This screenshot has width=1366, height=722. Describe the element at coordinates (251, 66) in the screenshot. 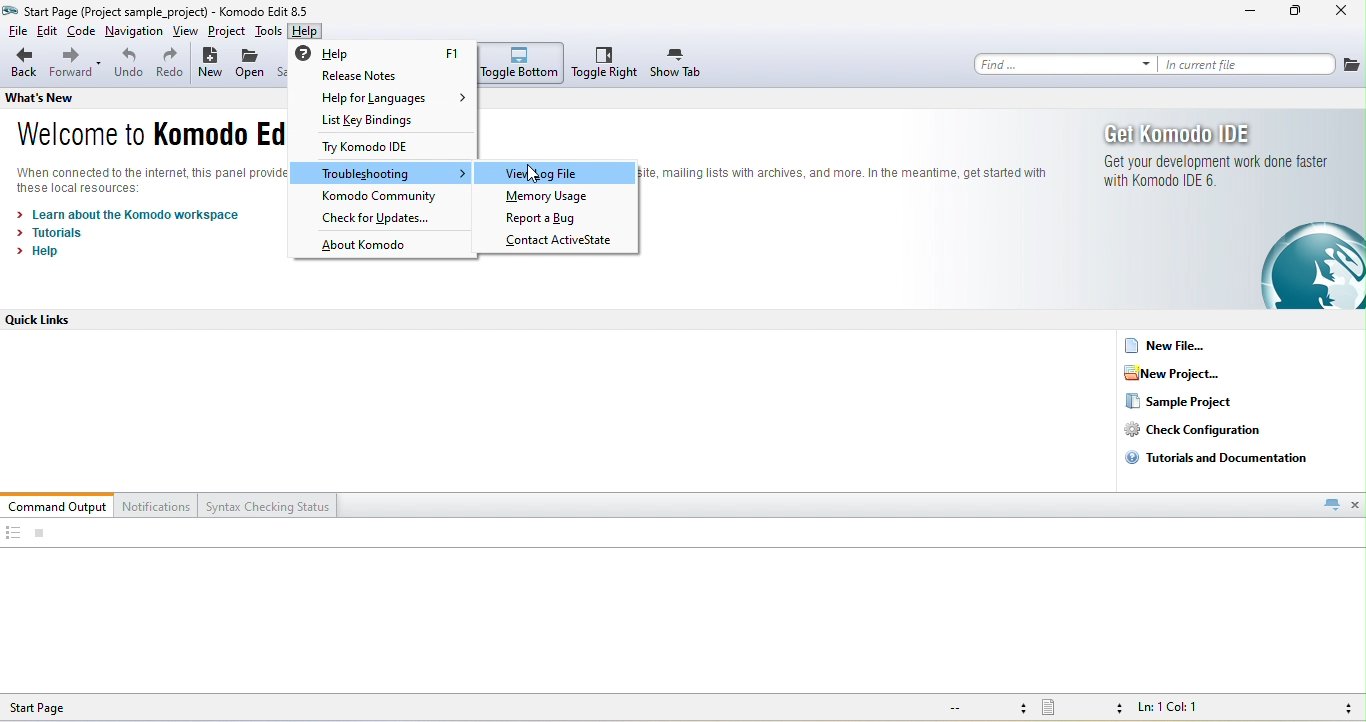

I see `open` at that location.